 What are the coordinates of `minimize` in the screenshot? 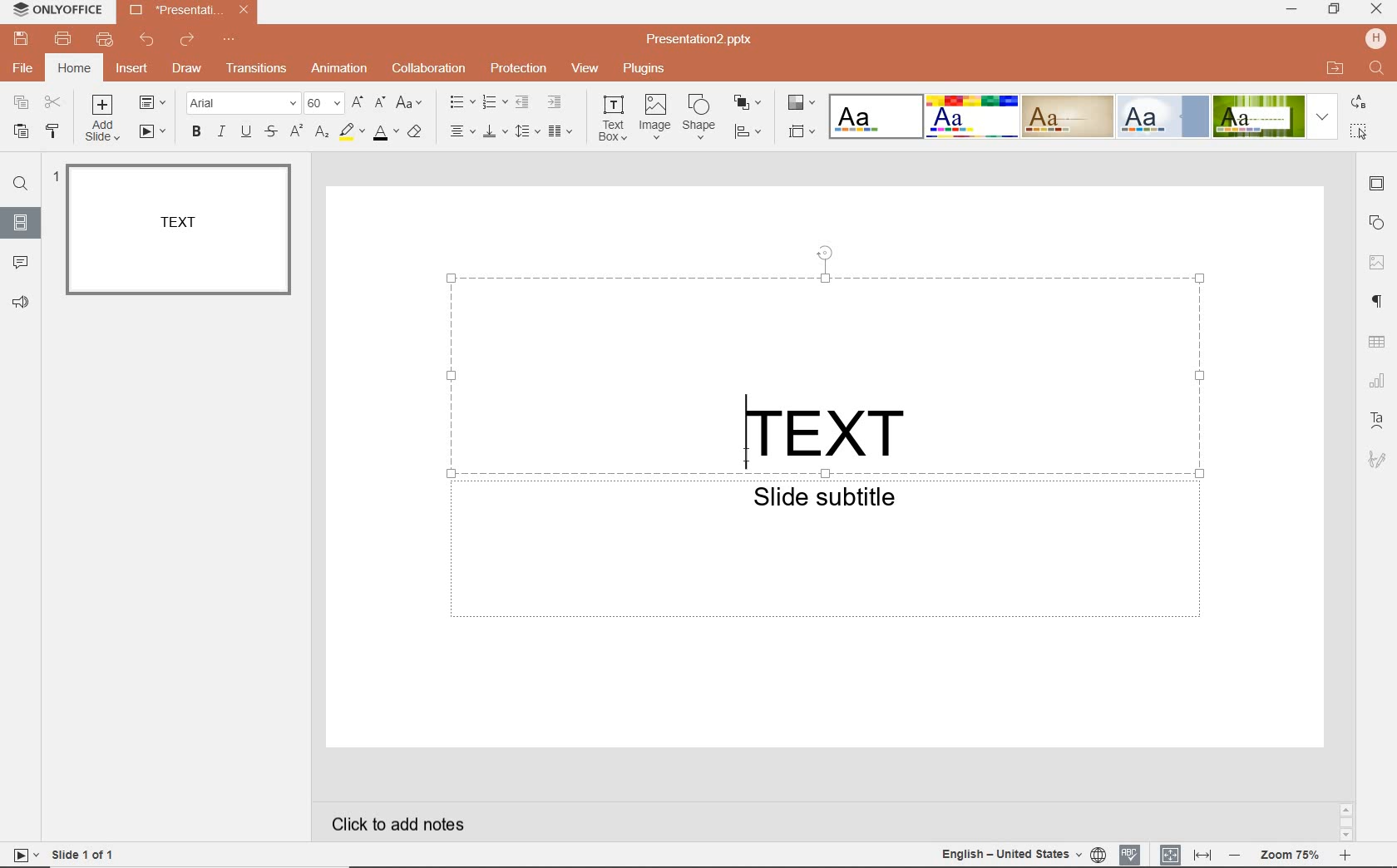 It's located at (1291, 10).